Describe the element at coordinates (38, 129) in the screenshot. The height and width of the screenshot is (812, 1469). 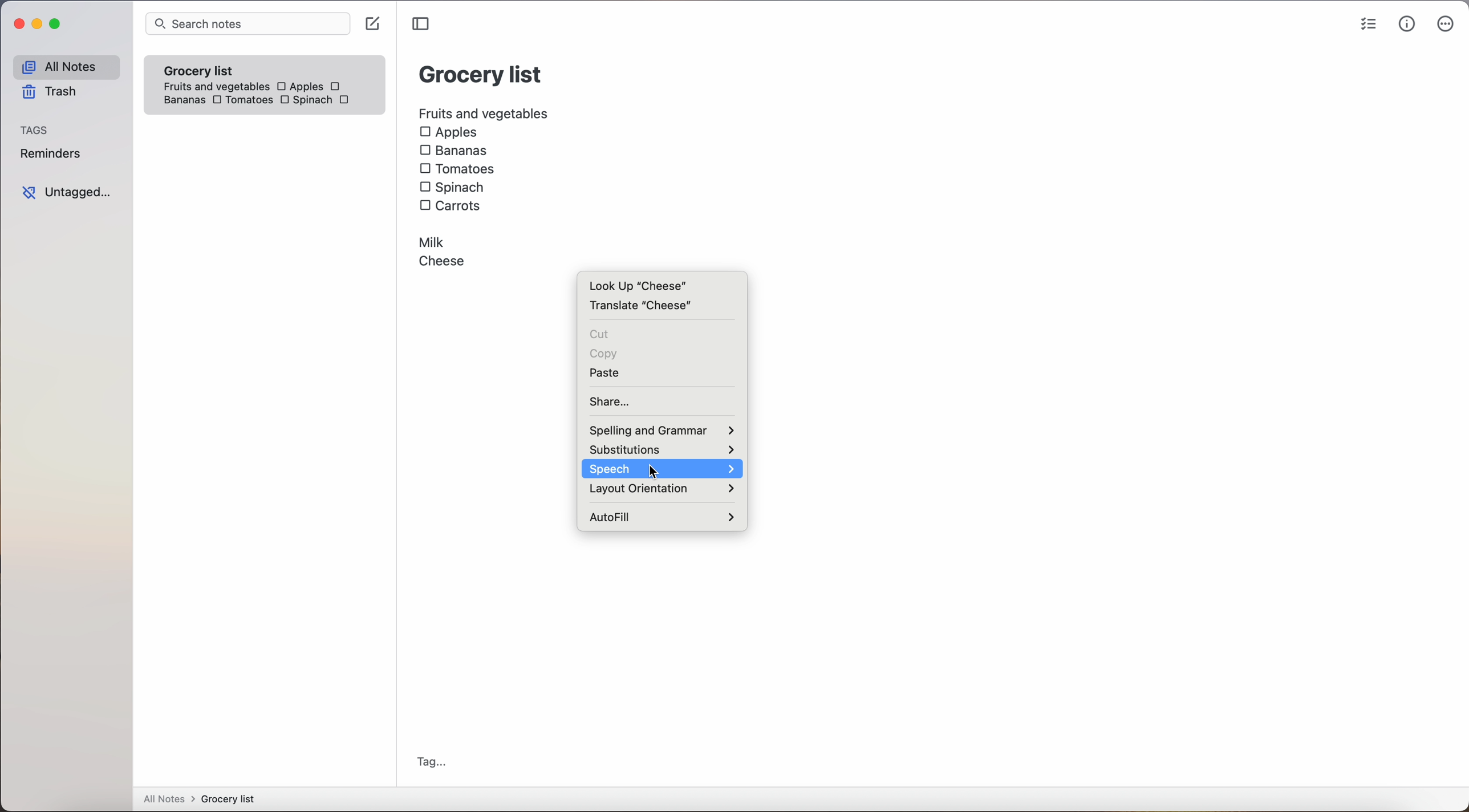
I see `tags` at that location.